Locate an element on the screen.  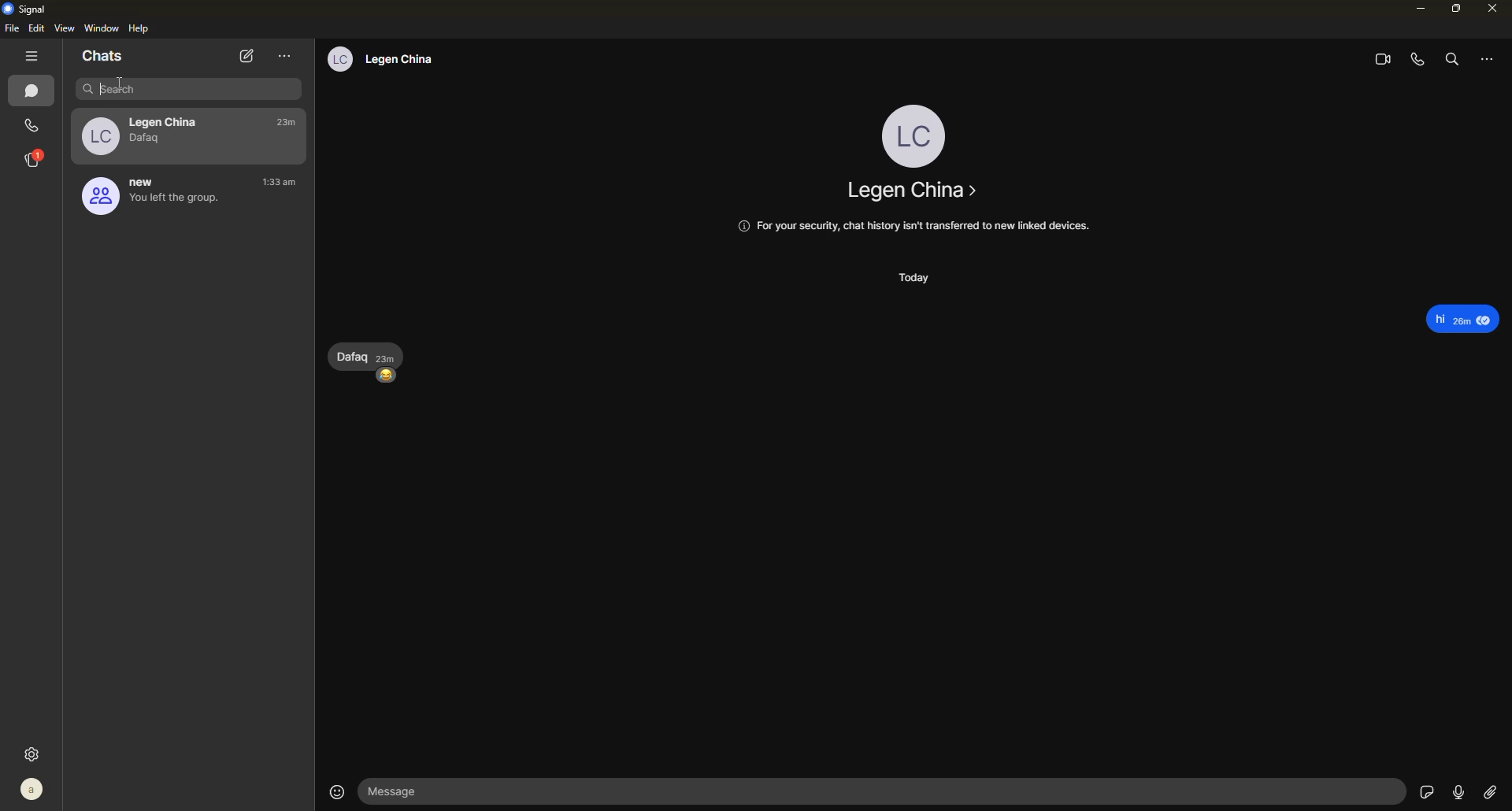
emoji is located at coordinates (336, 791).